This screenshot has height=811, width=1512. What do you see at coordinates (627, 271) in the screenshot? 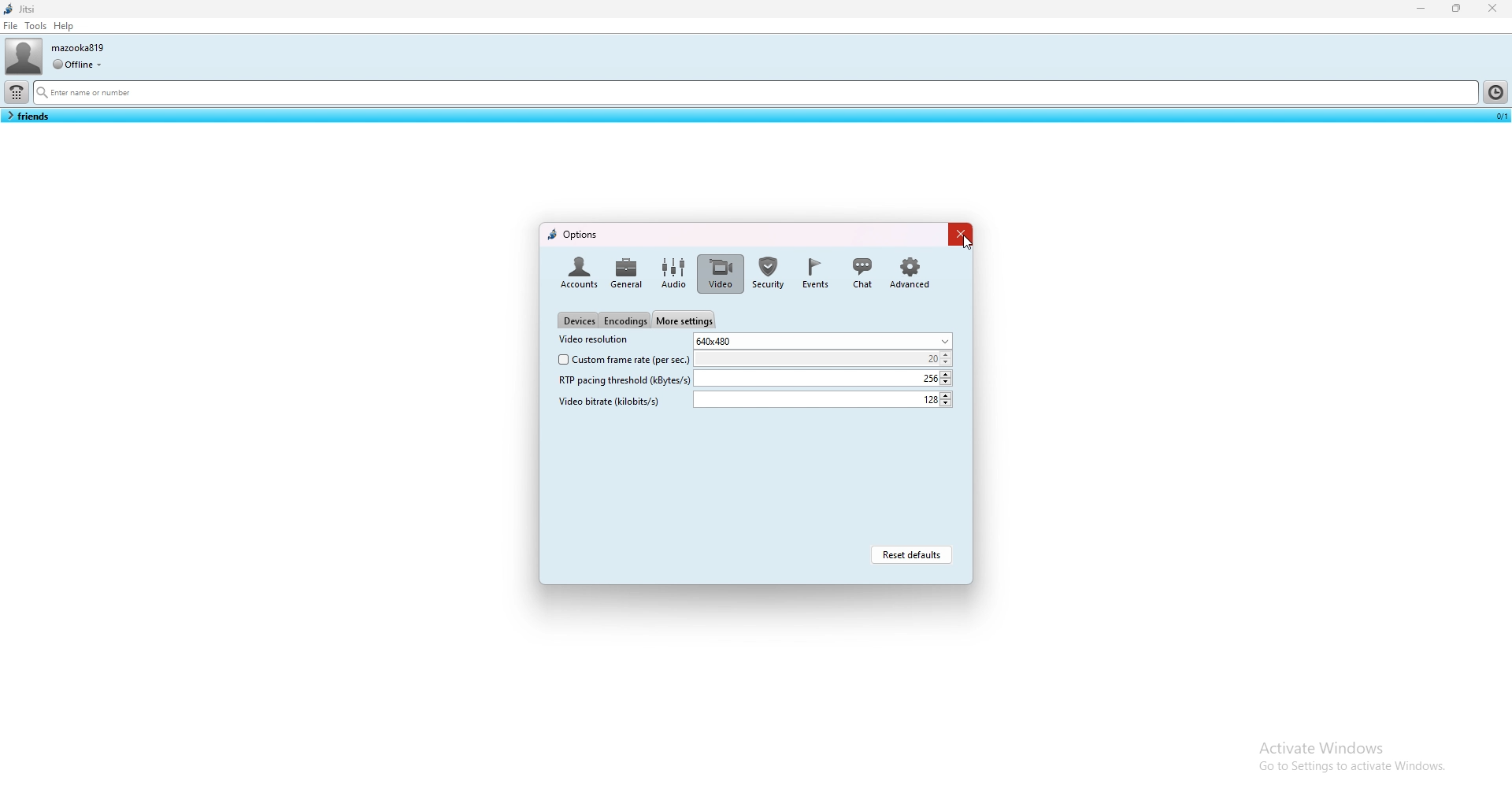
I see `General` at bounding box center [627, 271].